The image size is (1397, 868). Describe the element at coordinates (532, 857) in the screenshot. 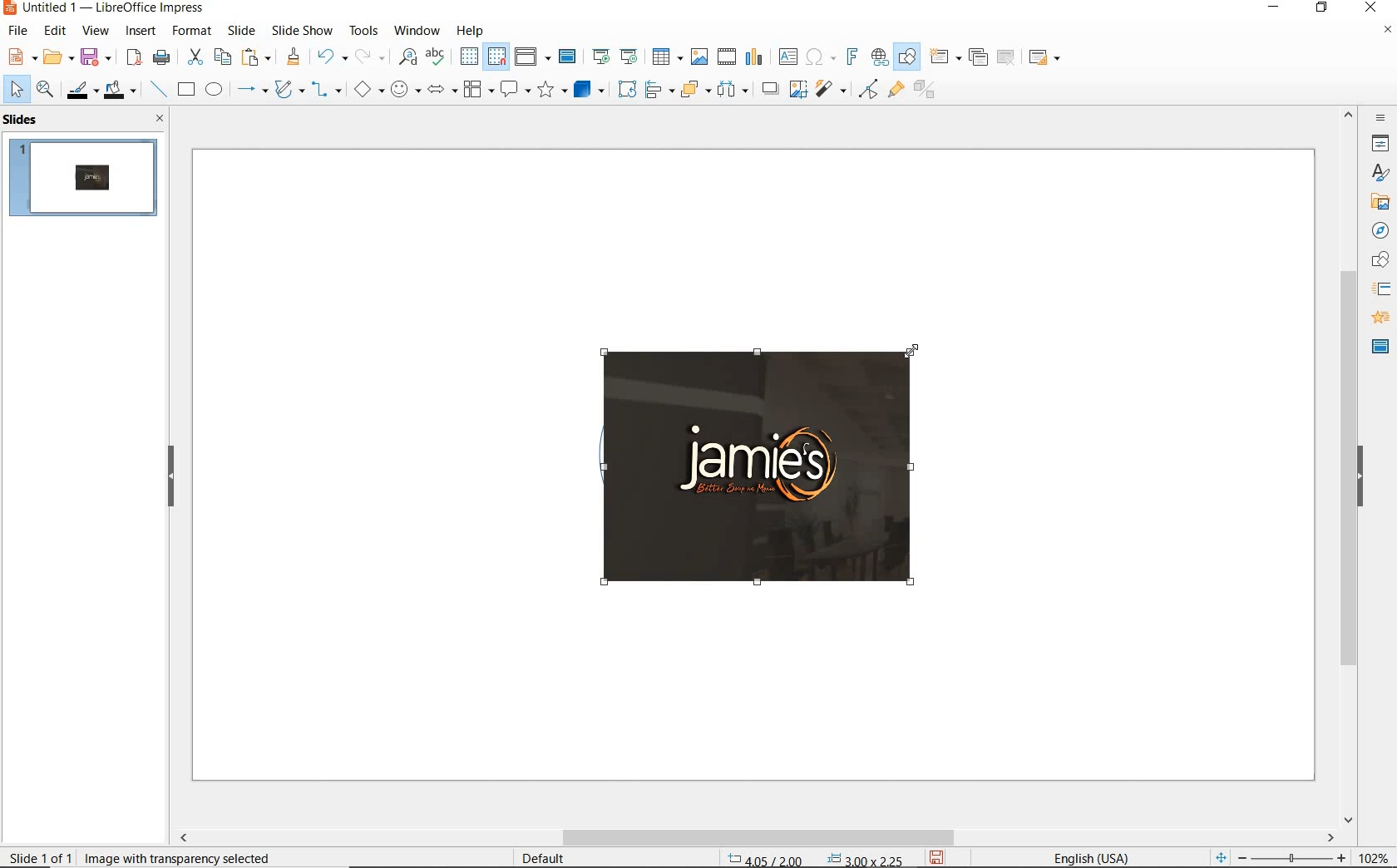

I see `default` at that location.